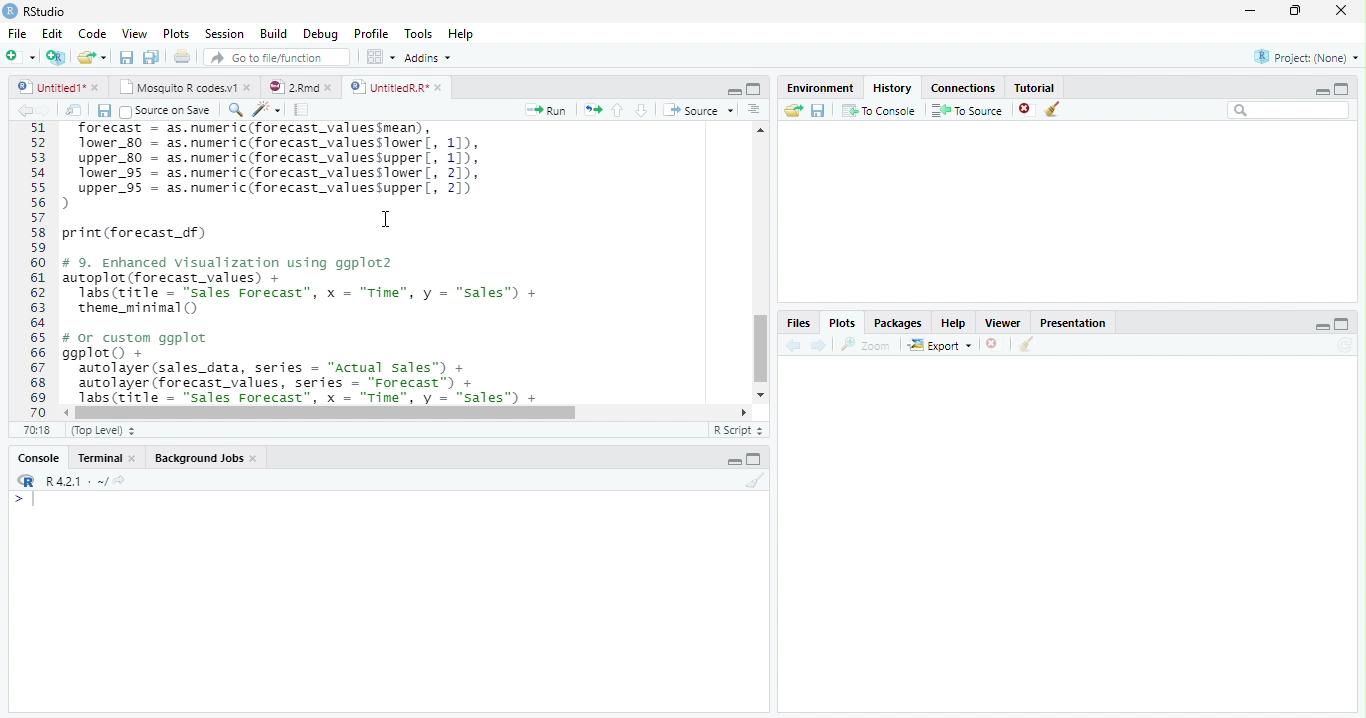 This screenshot has height=718, width=1366. What do you see at coordinates (756, 460) in the screenshot?
I see `Maximize` at bounding box center [756, 460].